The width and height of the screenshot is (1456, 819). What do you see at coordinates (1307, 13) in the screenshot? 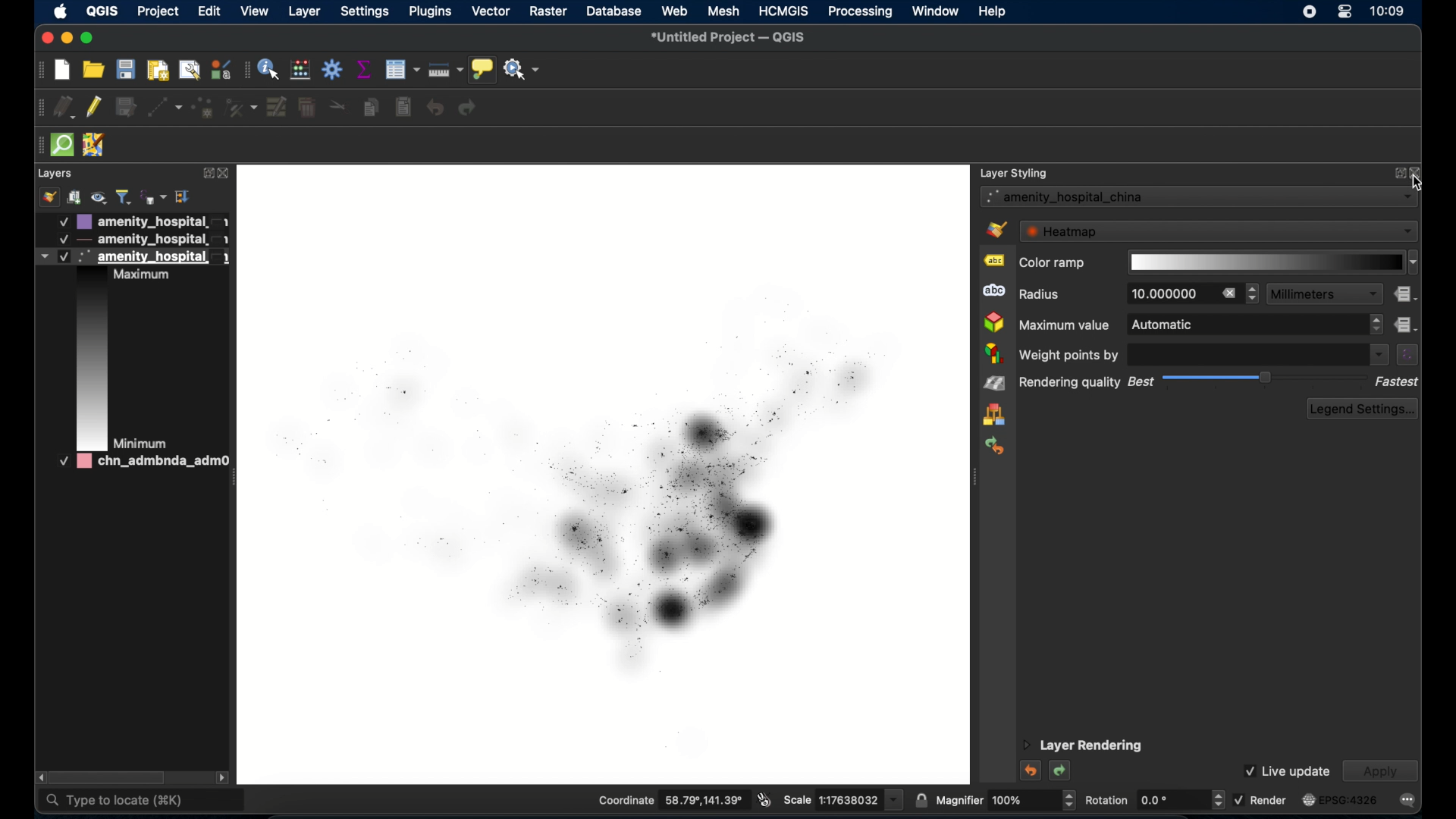
I see `screen recorder` at bounding box center [1307, 13].